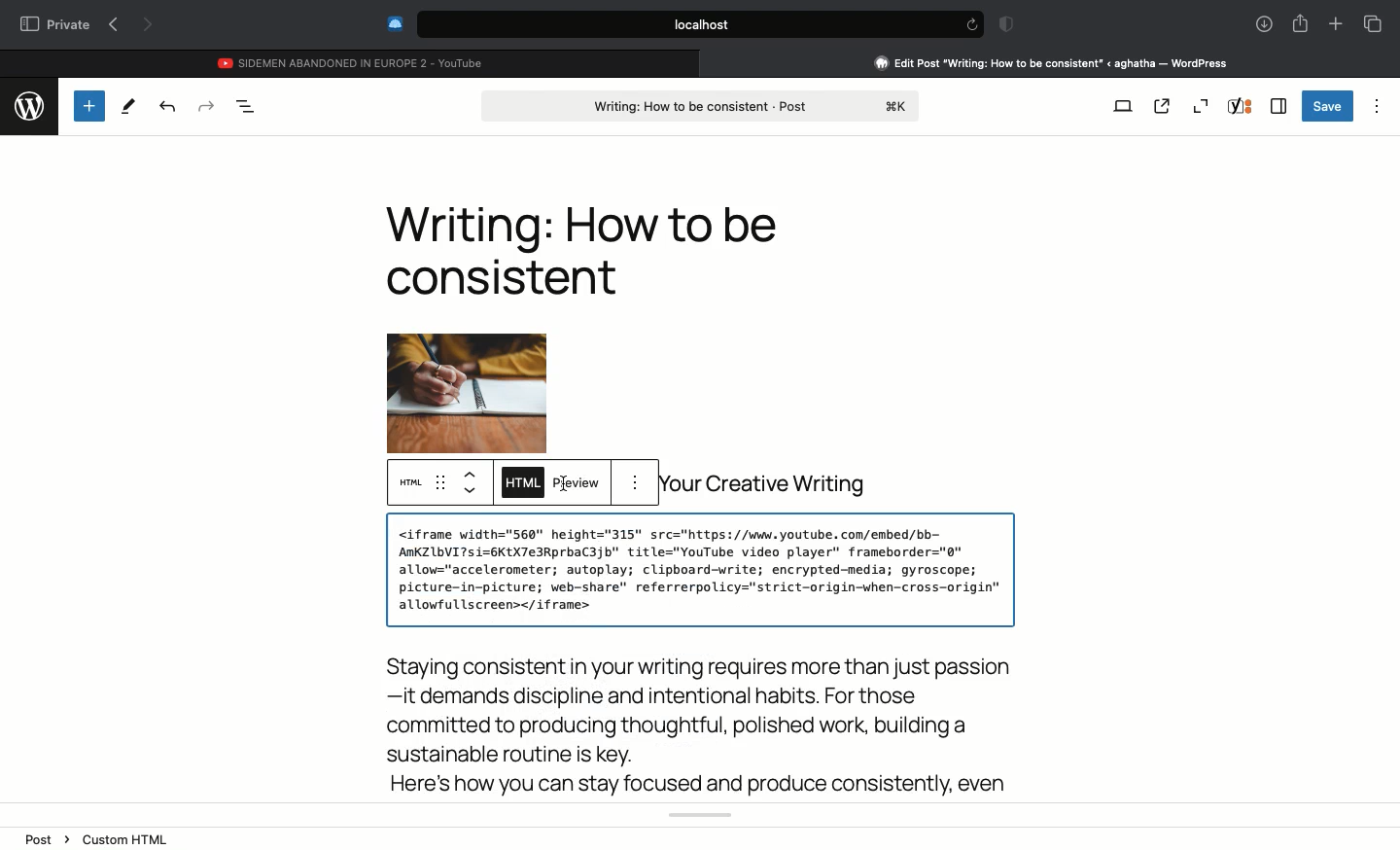 The image size is (1400, 850). What do you see at coordinates (1373, 23) in the screenshot?
I see `Tabs` at bounding box center [1373, 23].